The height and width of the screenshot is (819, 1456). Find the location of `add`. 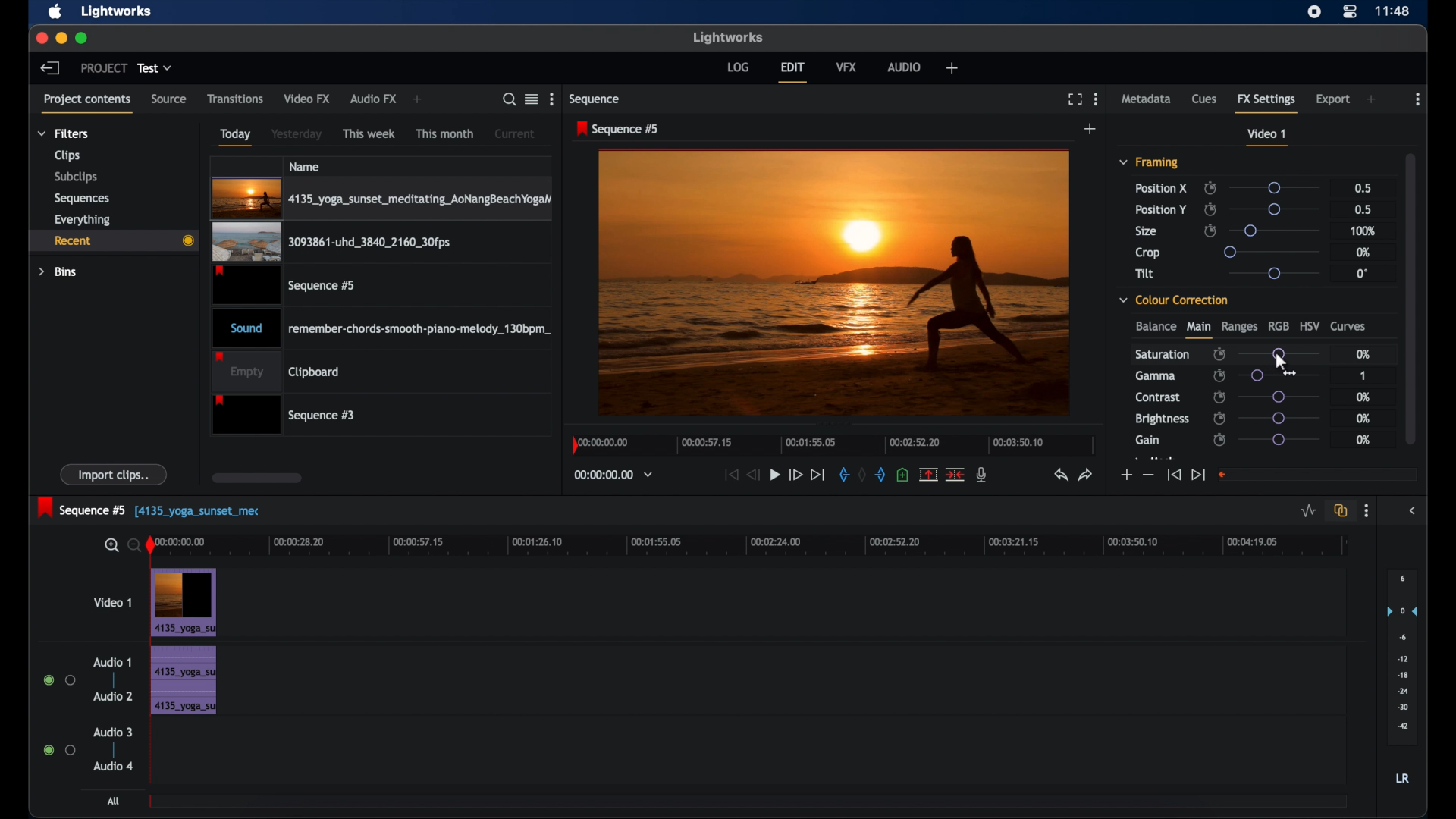

add is located at coordinates (951, 67).